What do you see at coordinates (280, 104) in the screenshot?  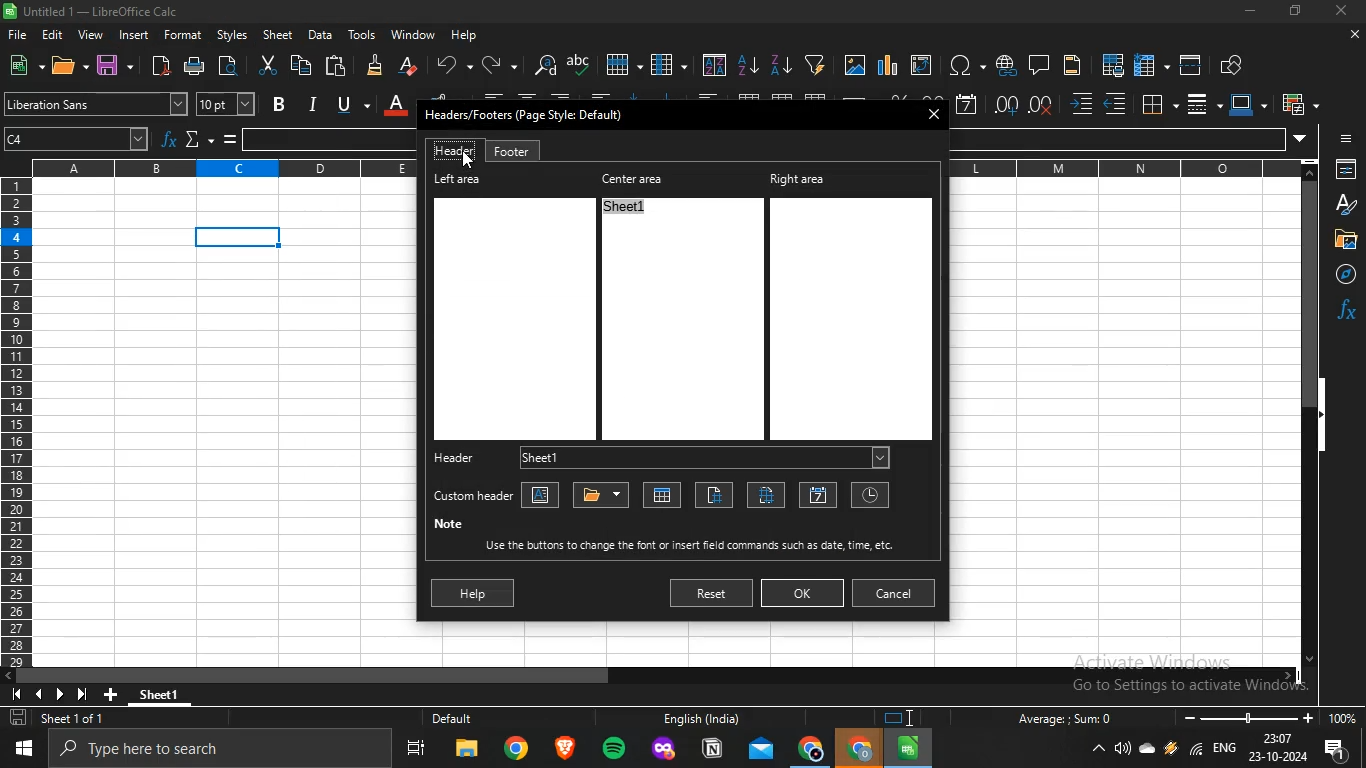 I see `bold` at bounding box center [280, 104].